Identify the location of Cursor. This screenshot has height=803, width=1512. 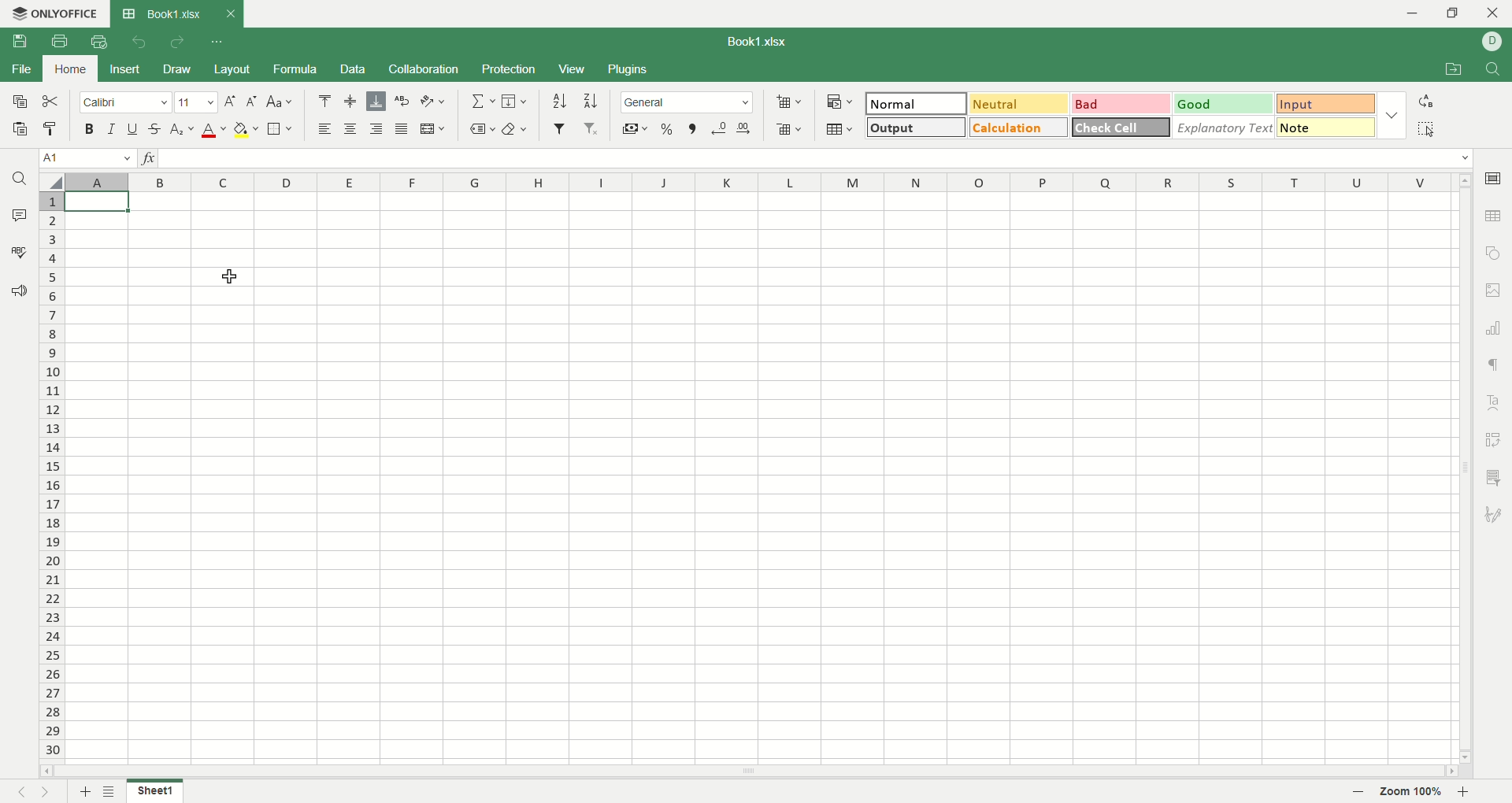
(247, 283).